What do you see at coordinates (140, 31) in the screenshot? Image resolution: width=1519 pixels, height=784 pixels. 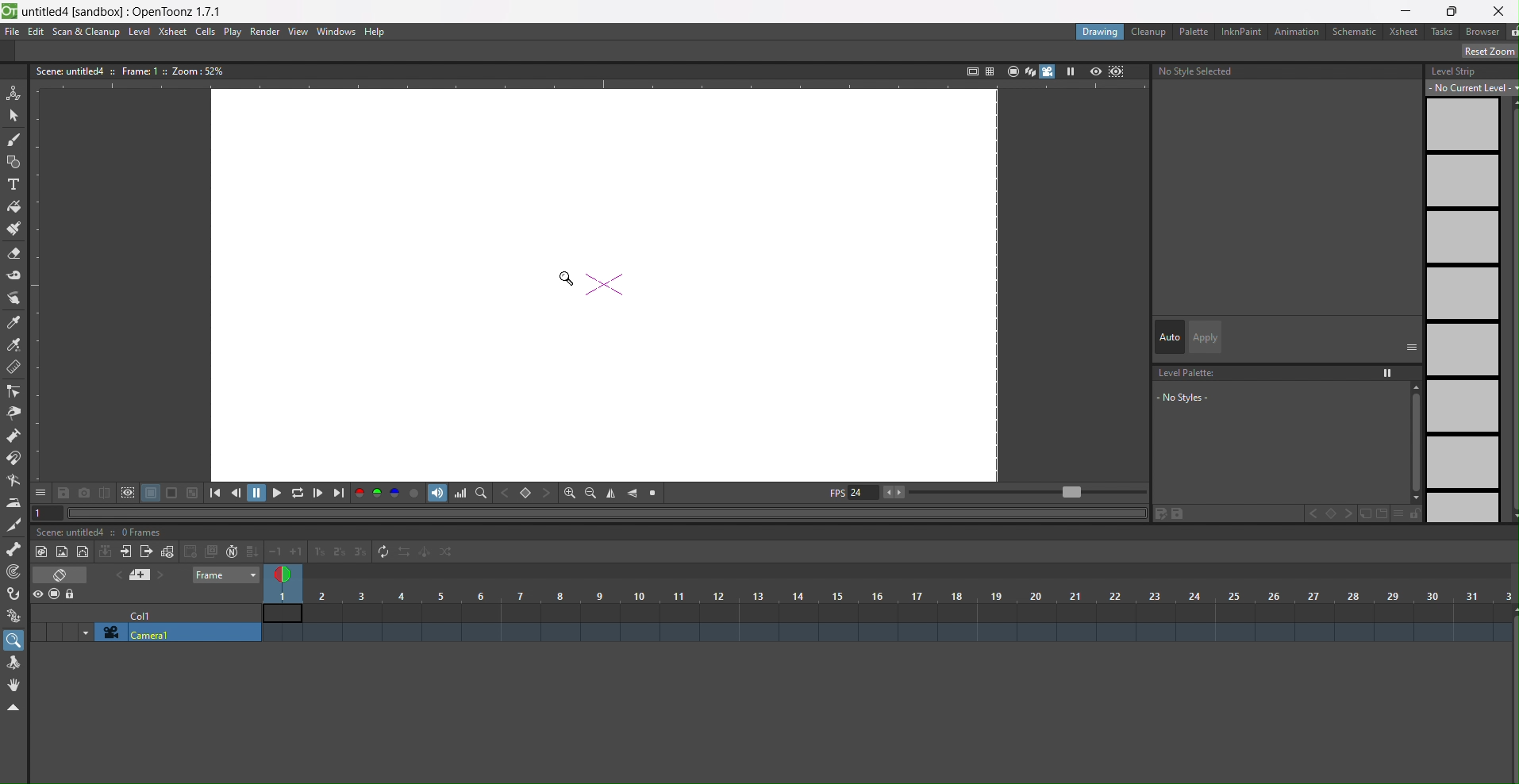 I see `level` at bounding box center [140, 31].